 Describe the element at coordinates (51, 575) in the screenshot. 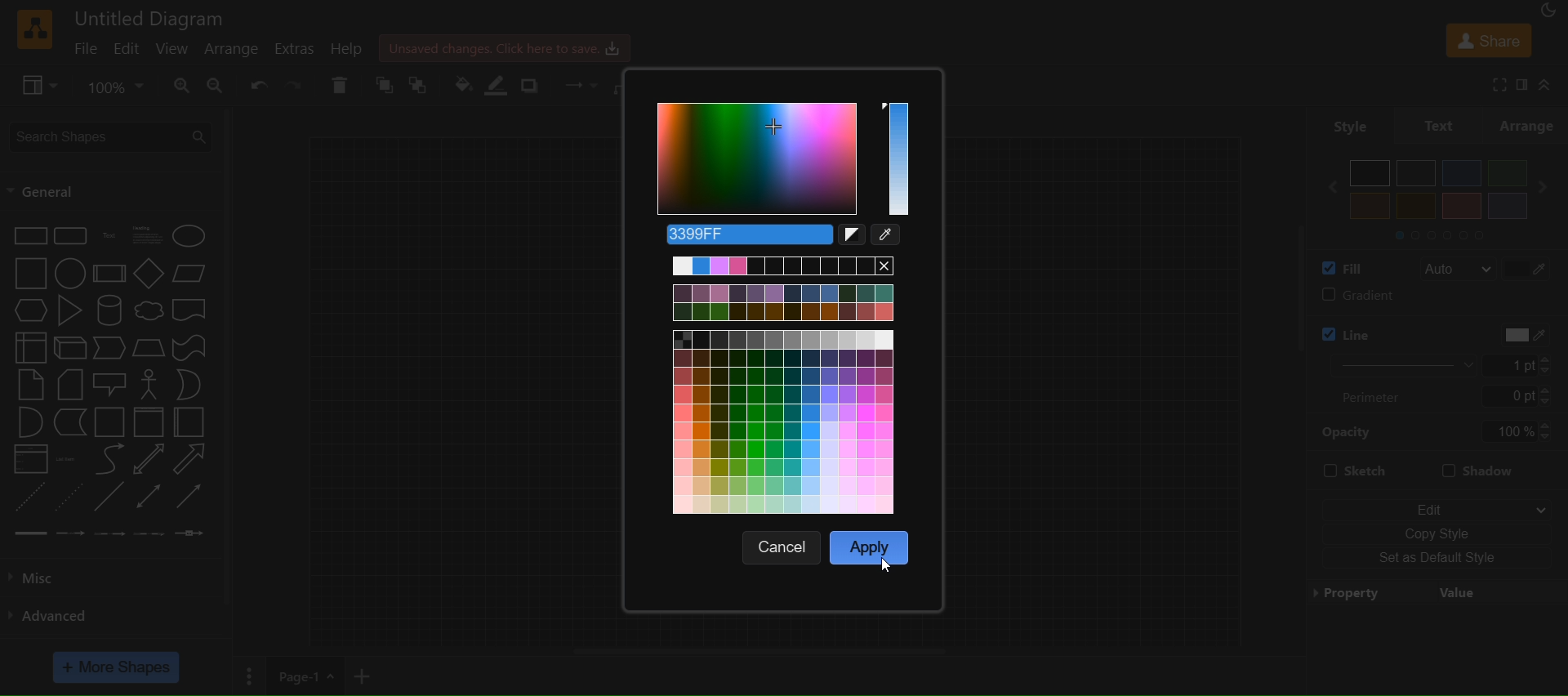

I see `misc` at that location.